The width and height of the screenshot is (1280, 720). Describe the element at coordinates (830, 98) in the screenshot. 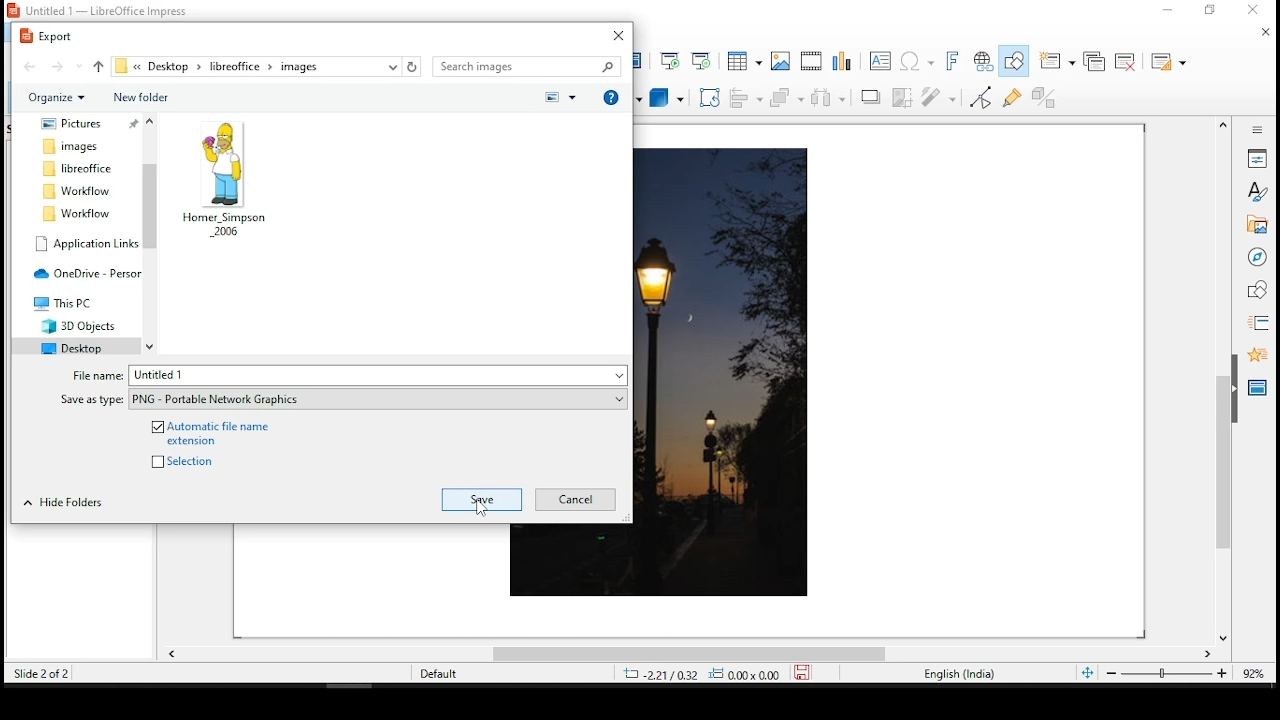

I see `distribute` at that location.